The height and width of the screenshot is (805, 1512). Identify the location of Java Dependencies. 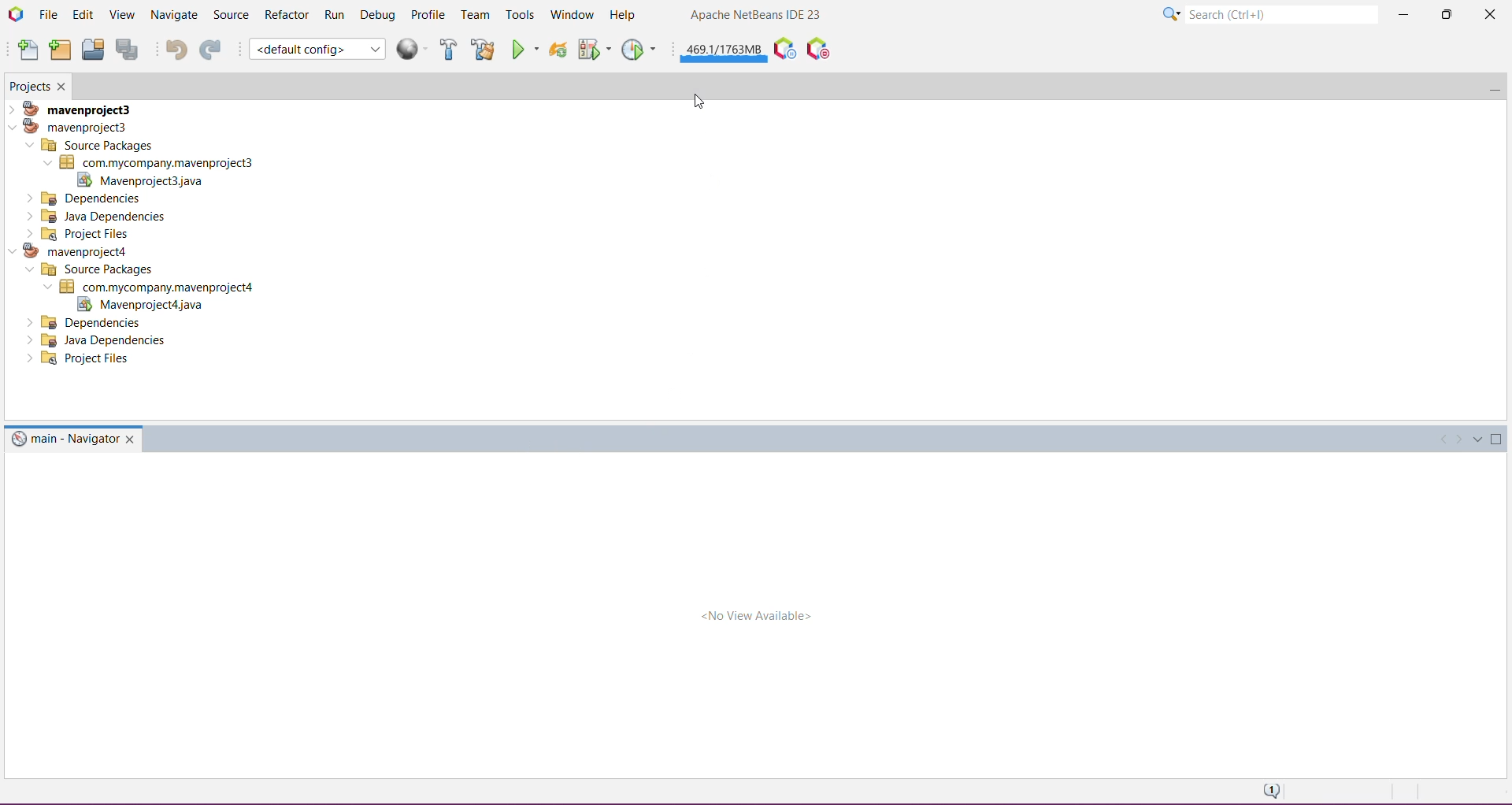
(98, 216).